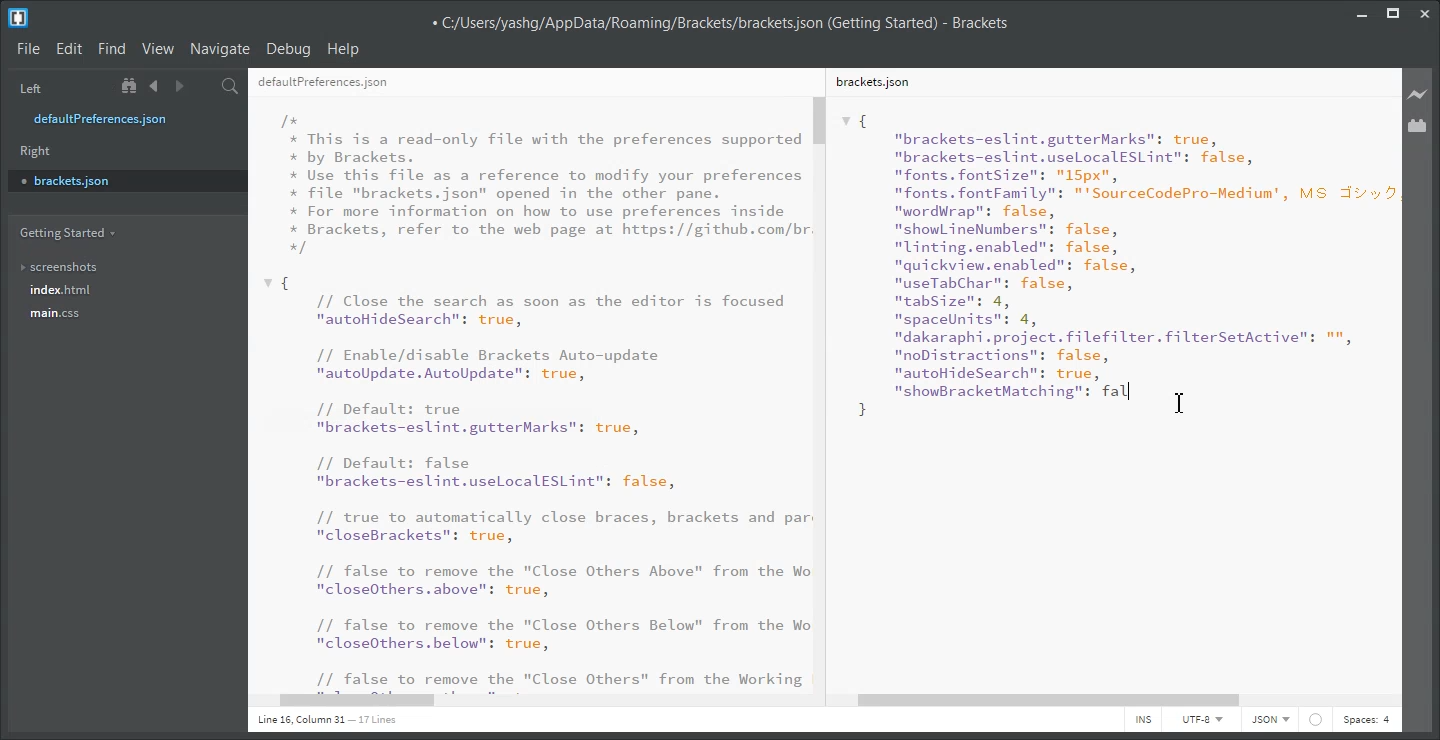 Image resolution: width=1440 pixels, height=740 pixels. What do you see at coordinates (113, 119) in the screenshot?
I see `defaultPreferences.json` at bounding box center [113, 119].